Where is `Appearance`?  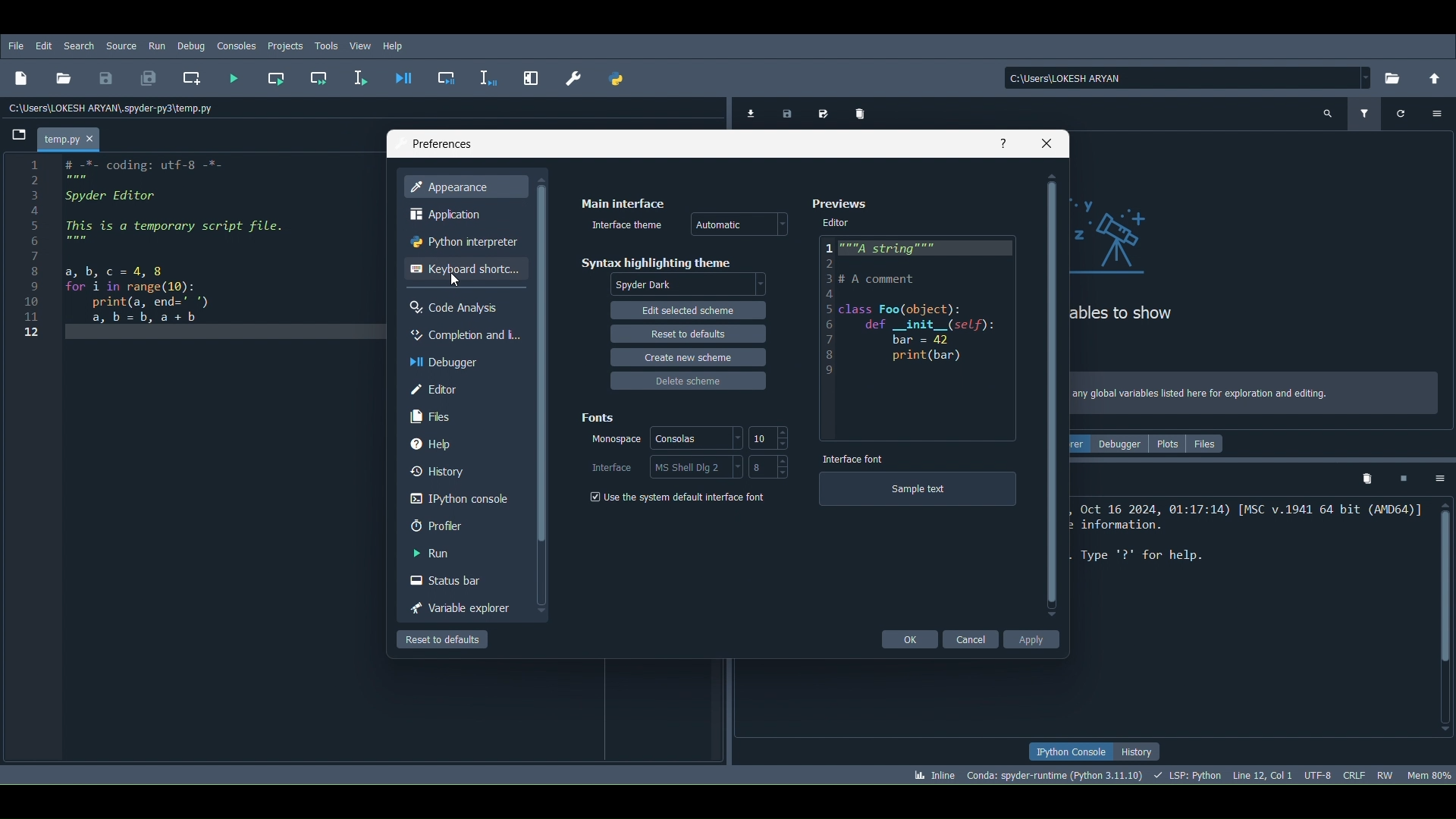
Appearance is located at coordinates (463, 184).